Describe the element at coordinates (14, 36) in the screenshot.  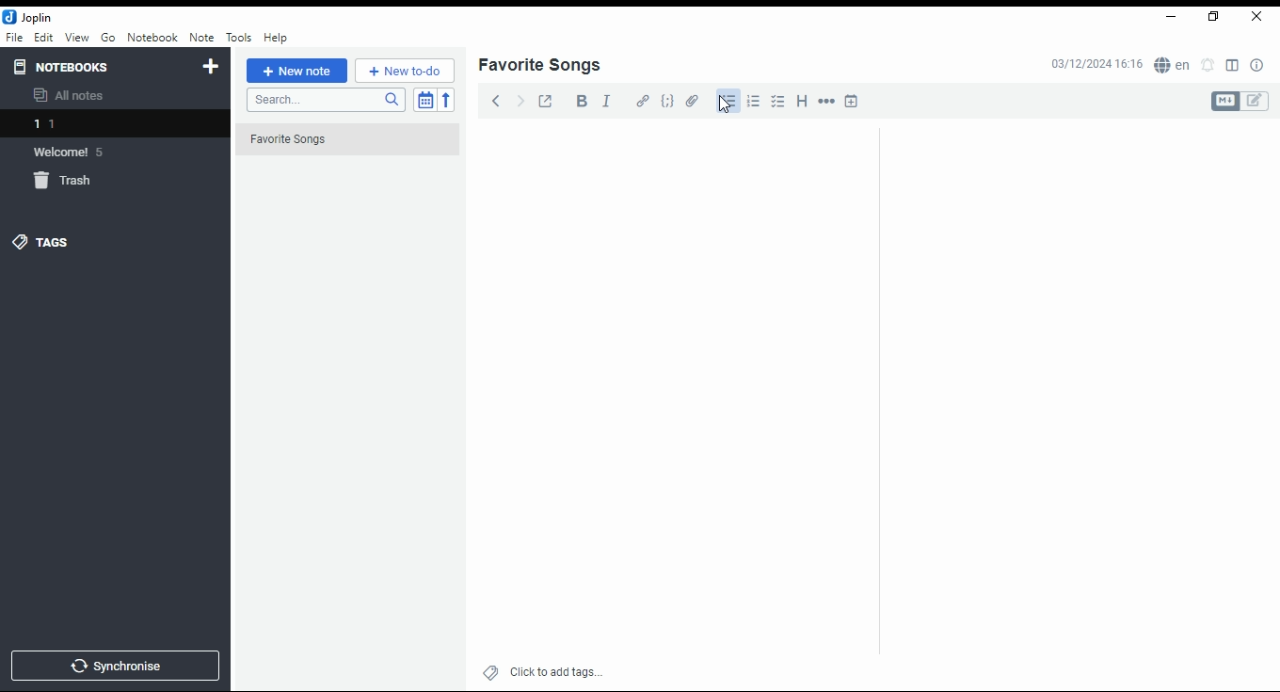
I see `file` at that location.